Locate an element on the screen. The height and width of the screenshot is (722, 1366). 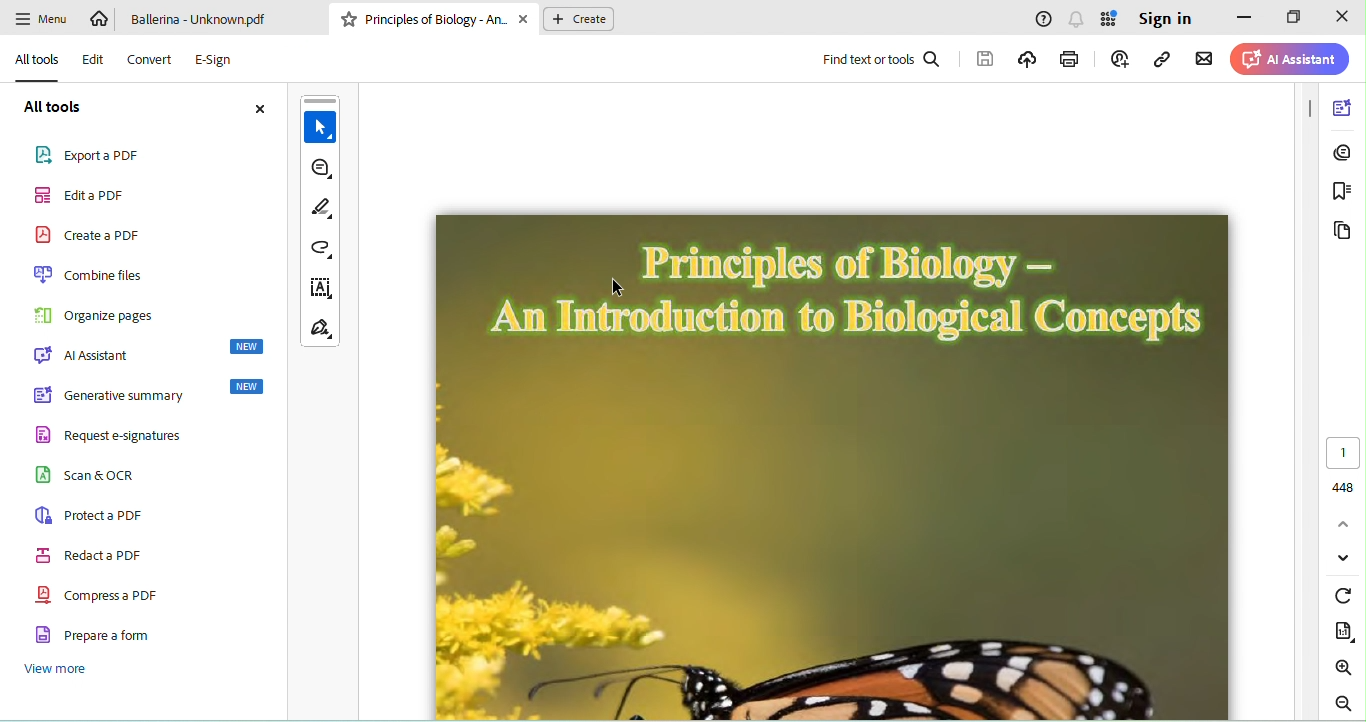
Ballerina unknown.pdf is located at coordinates (208, 19).